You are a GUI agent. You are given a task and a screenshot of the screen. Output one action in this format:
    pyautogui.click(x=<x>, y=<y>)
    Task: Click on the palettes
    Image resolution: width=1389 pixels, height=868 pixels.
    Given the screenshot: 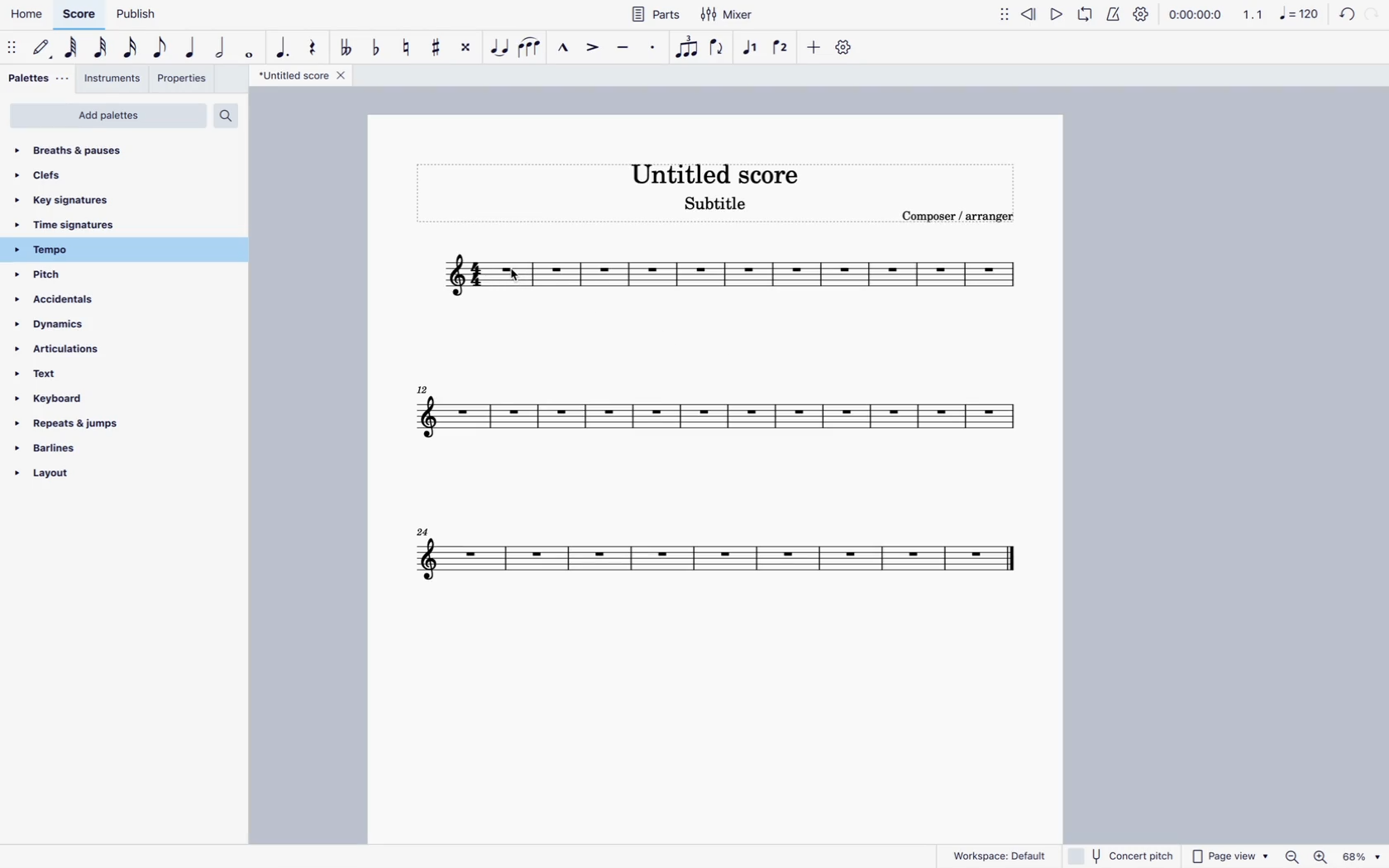 What is the action you would take?
    pyautogui.click(x=38, y=79)
    